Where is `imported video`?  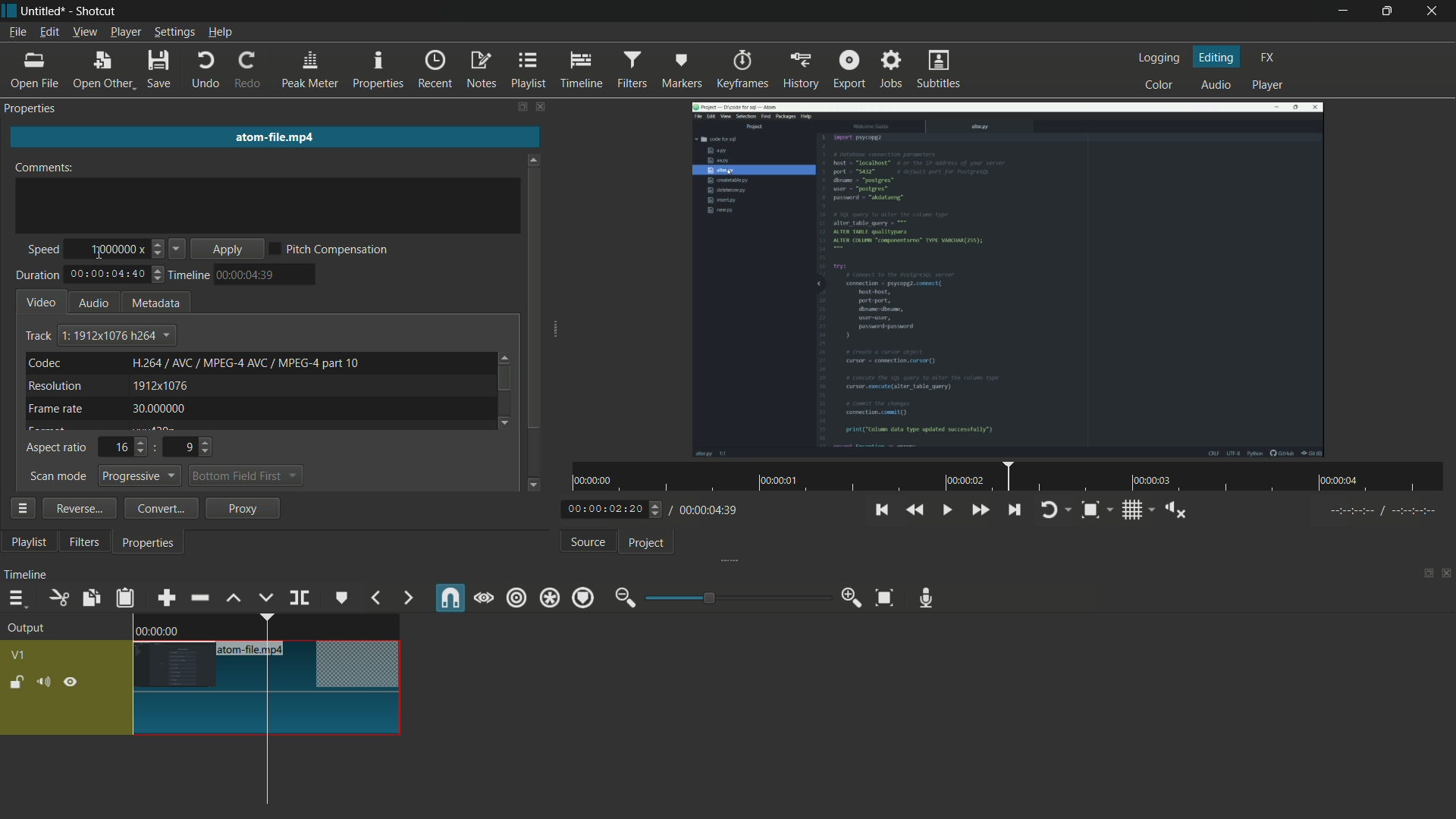 imported video is located at coordinates (1009, 278).